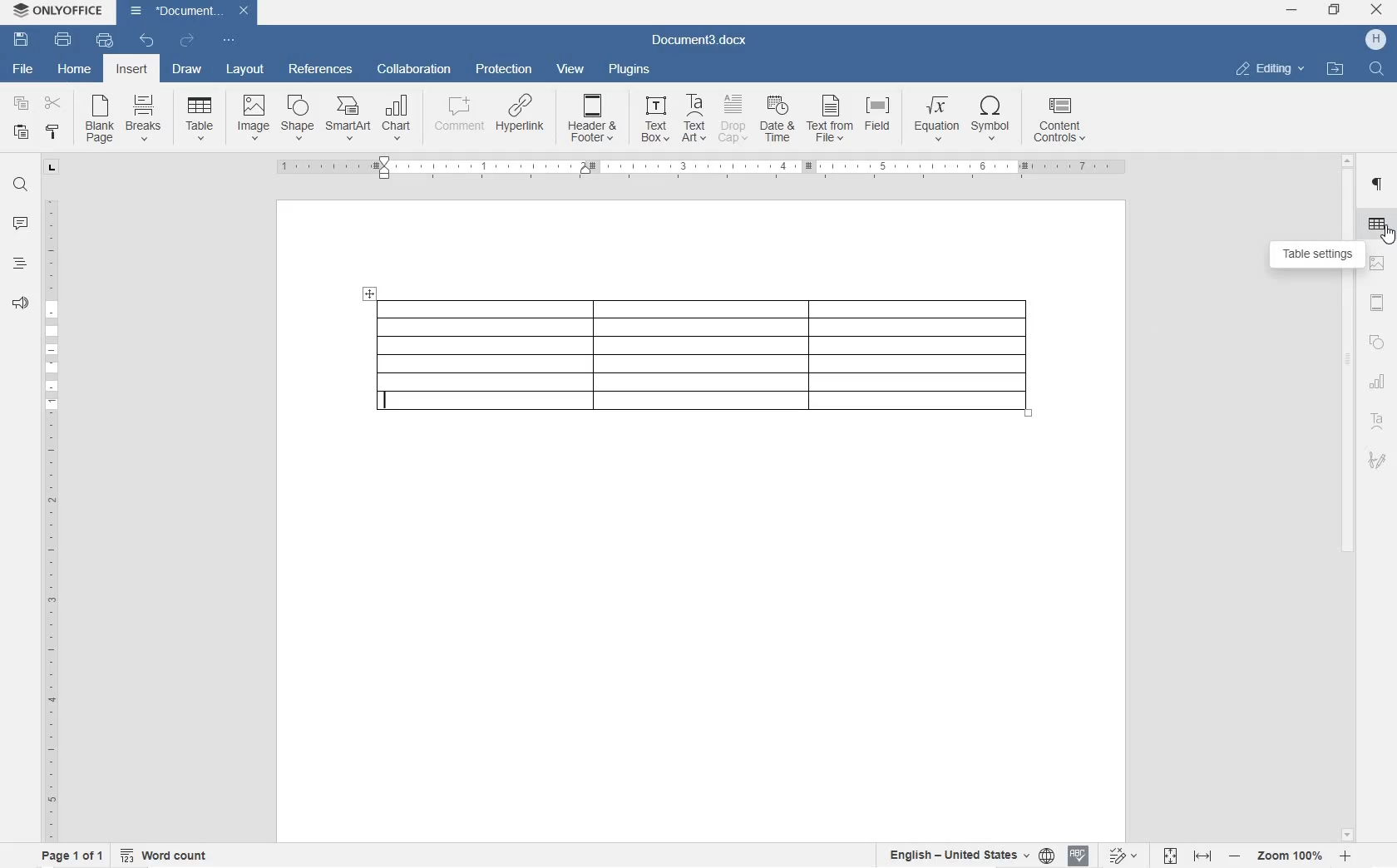 The width and height of the screenshot is (1397, 868). I want to click on SYMBOL, so click(990, 121).